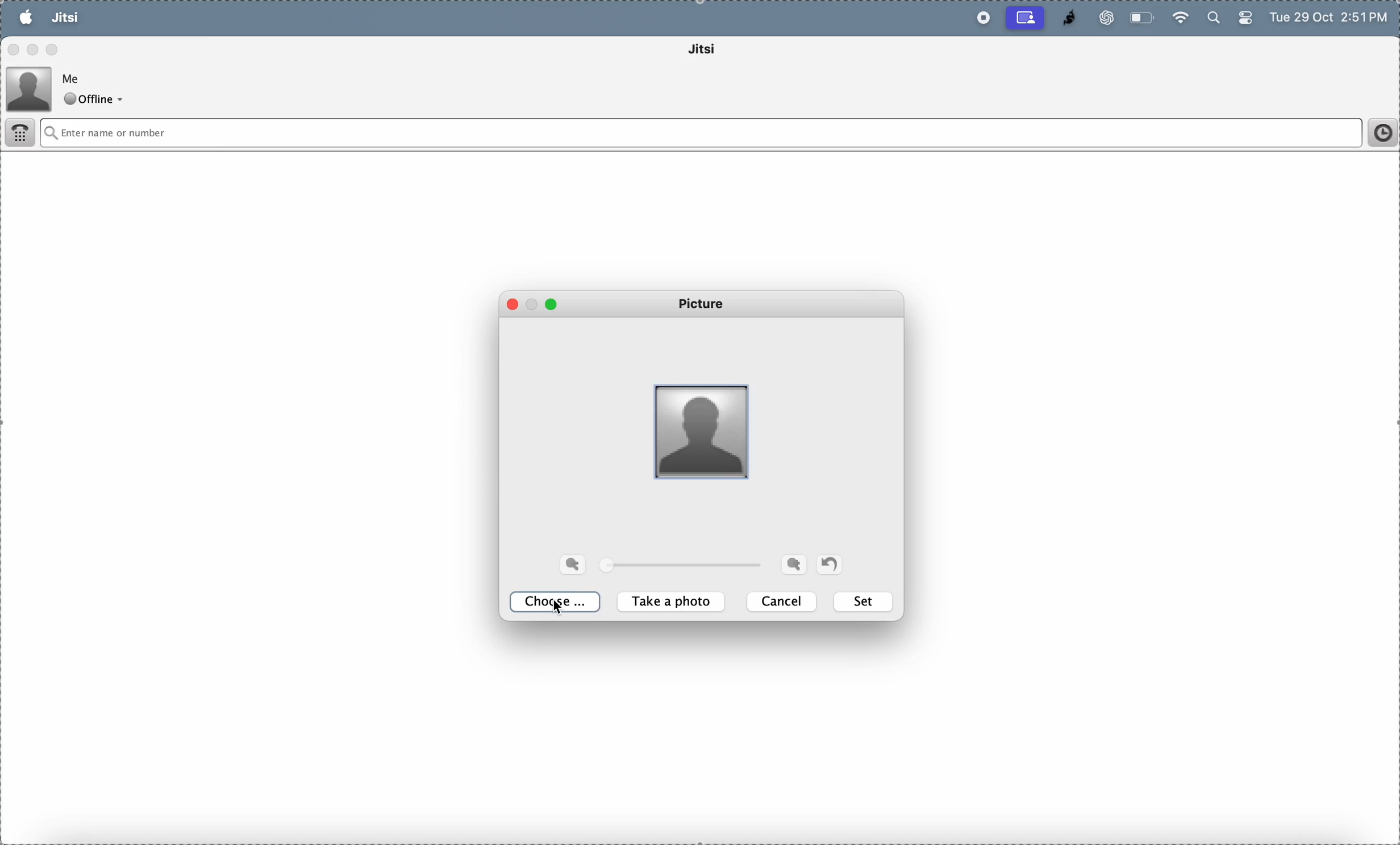 The image size is (1400, 845). I want to click on close window, so click(14, 51).